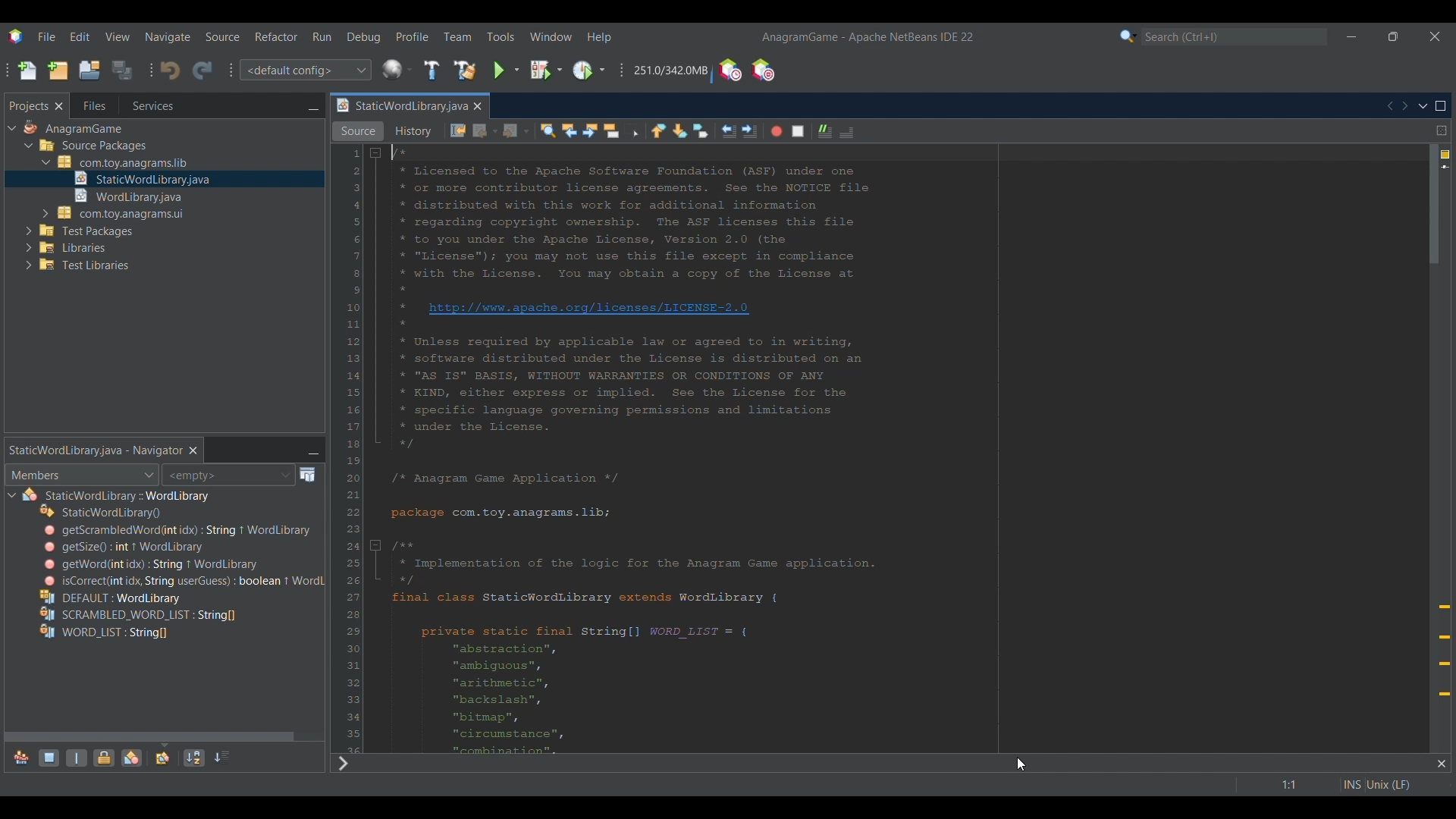 The image size is (1456, 819). What do you see at coordinates (59, 106) in the screenshot?
I see `Close Projects` at bounding box center [59, 106].